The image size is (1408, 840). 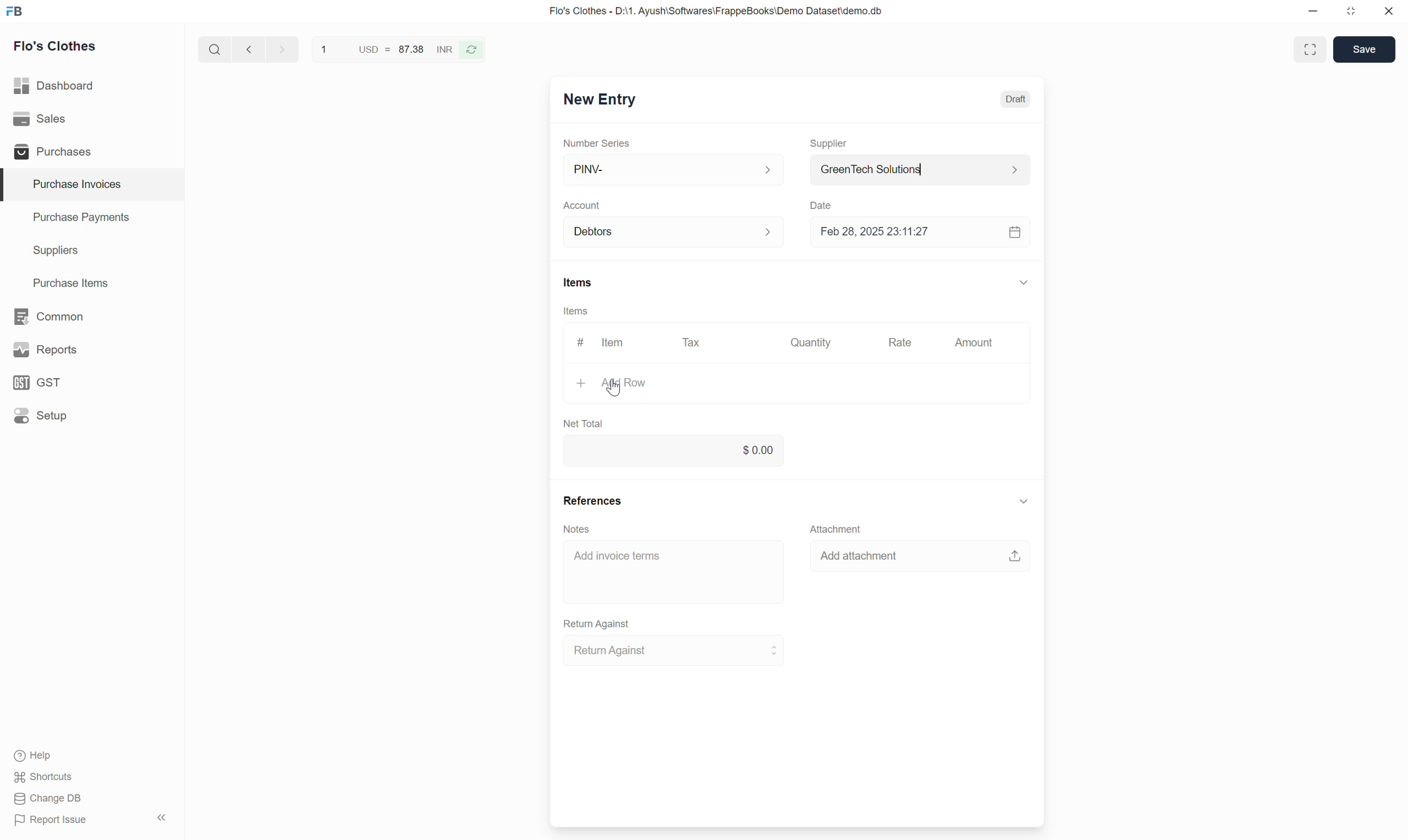 What do you see at coordinates (49, 799) in the screenshot?
I see `Change DB` at bounding box center [49, 799].